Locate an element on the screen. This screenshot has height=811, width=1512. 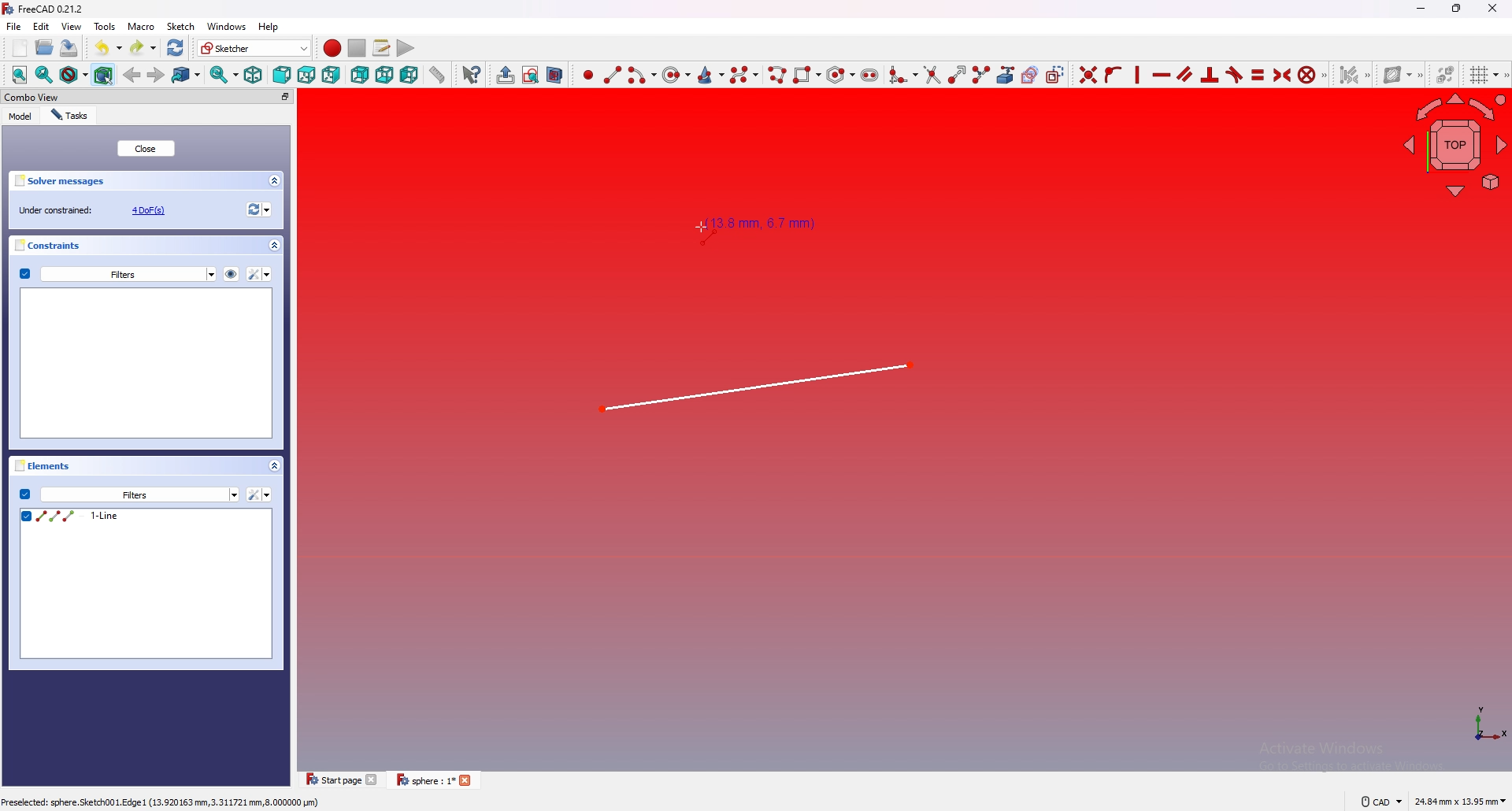
Create point is located at coordinates (585, 75).